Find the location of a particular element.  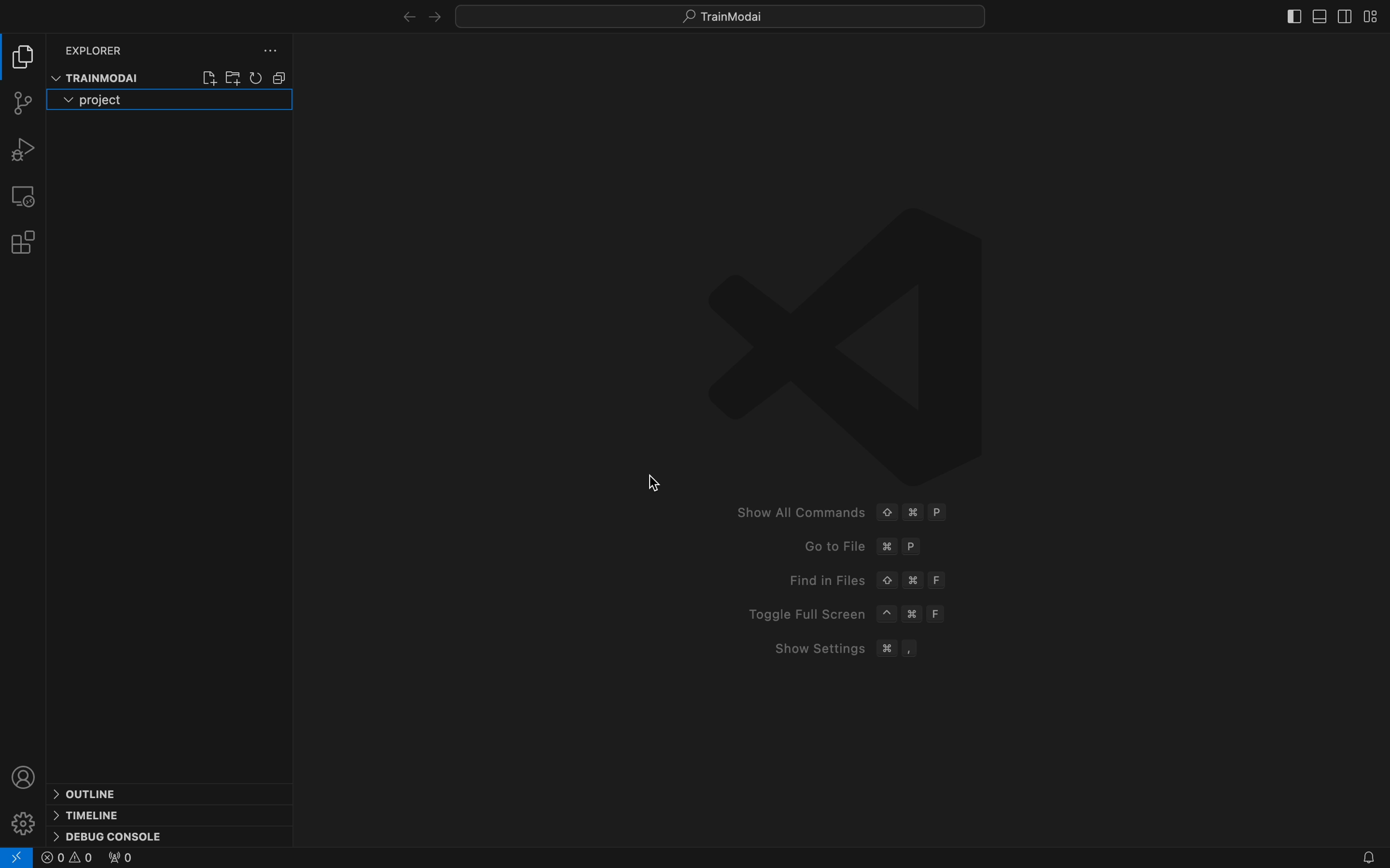

remote explore is located at coordinates (25, 194).